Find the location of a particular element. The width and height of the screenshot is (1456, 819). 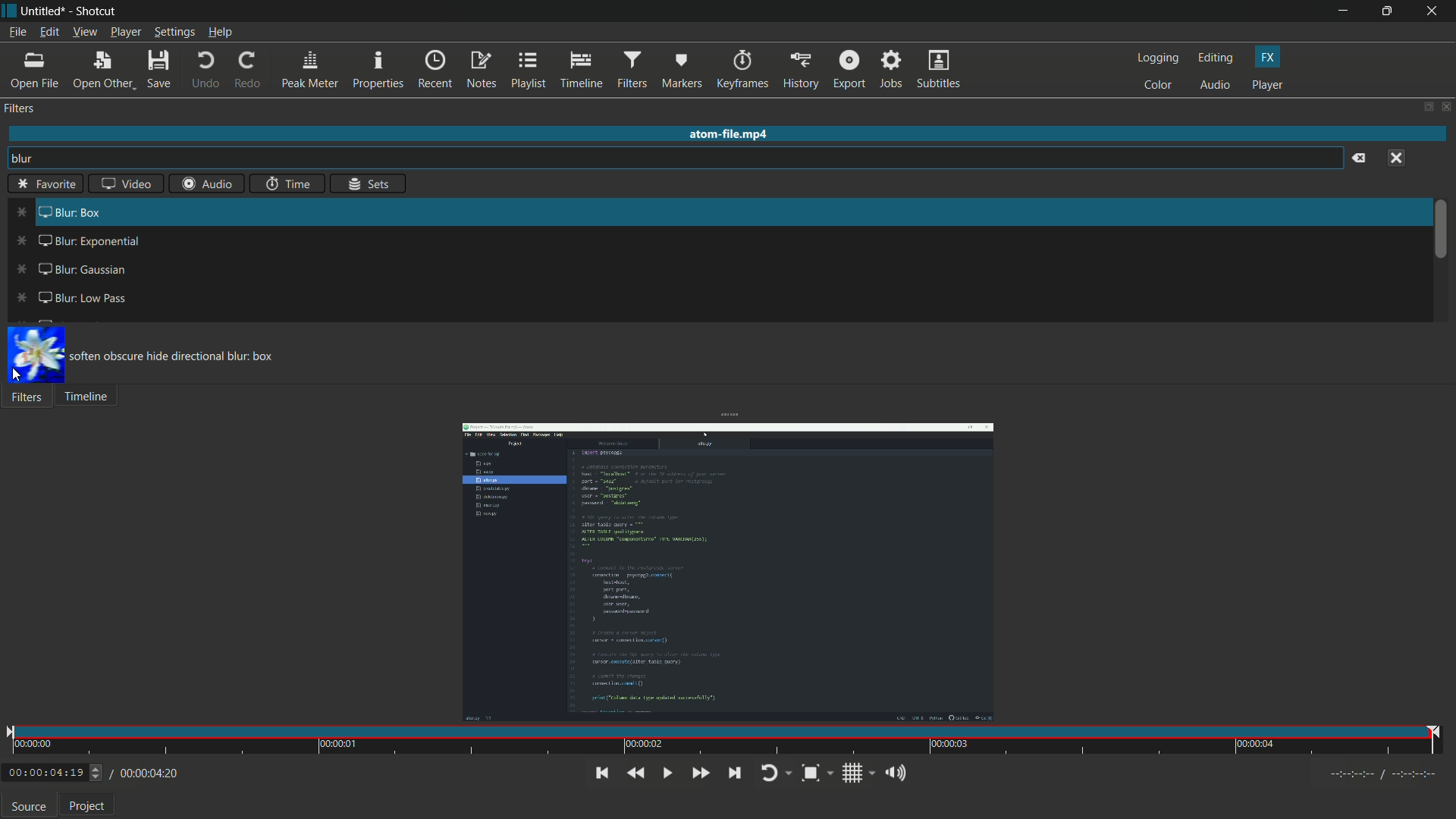

undo is located at coordinates (203, 71).